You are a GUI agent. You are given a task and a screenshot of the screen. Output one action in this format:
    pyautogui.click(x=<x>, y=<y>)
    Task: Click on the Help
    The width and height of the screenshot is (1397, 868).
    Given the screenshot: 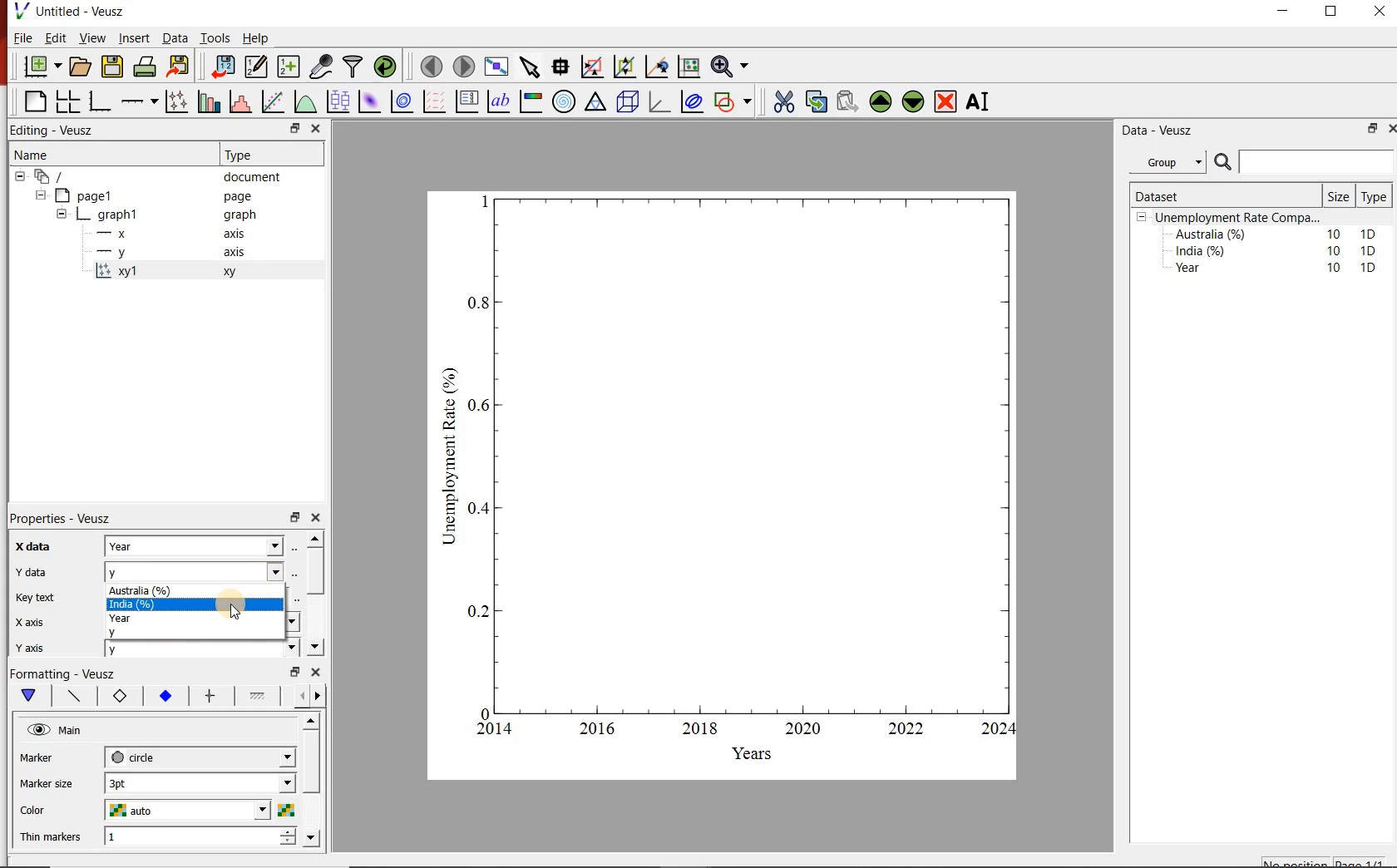 What is the action you would take?
    pyautogui.click(x=256, y=38)
    